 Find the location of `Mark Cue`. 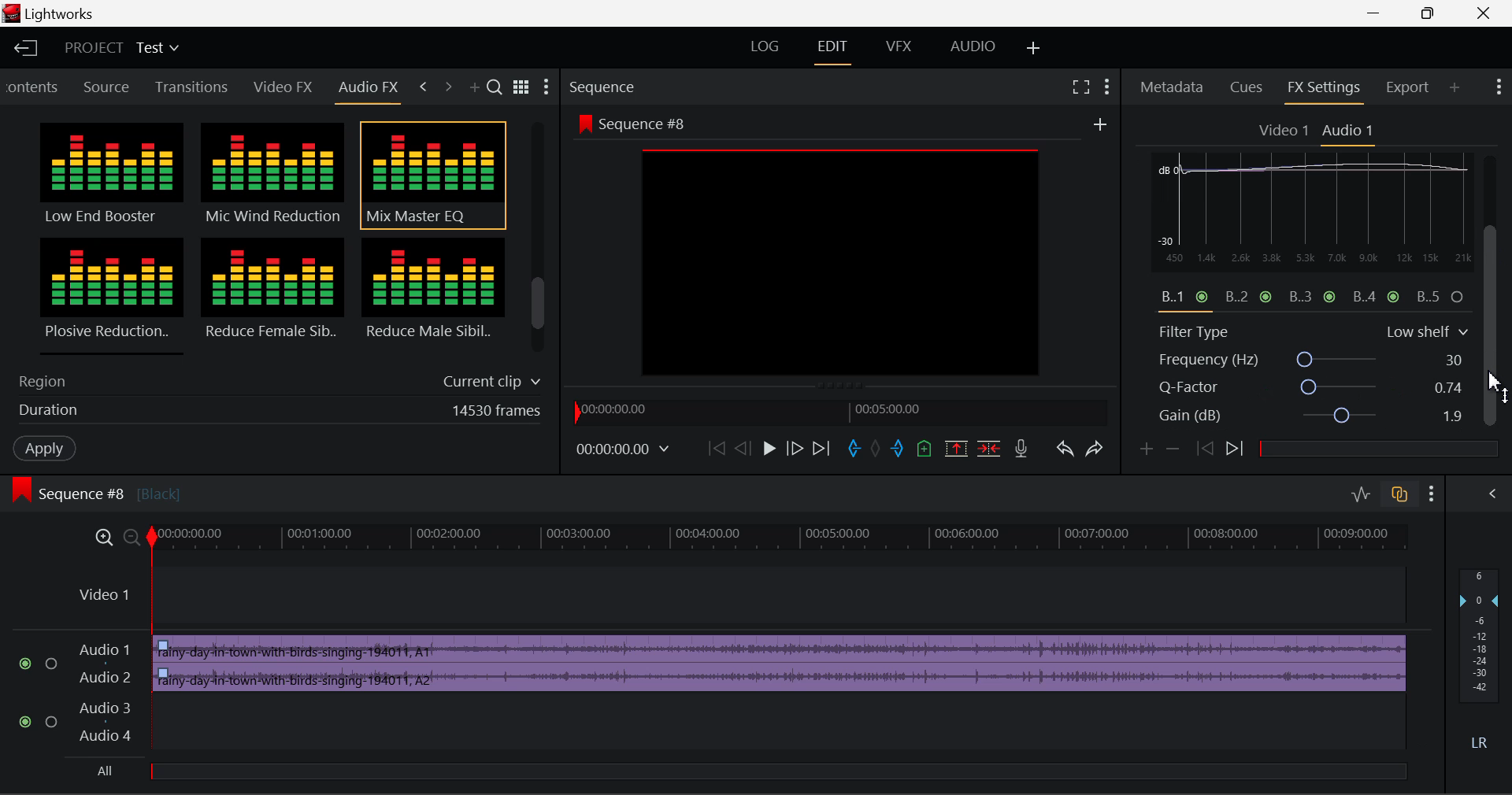

Mark Cue is located at coordinates (923, 449).